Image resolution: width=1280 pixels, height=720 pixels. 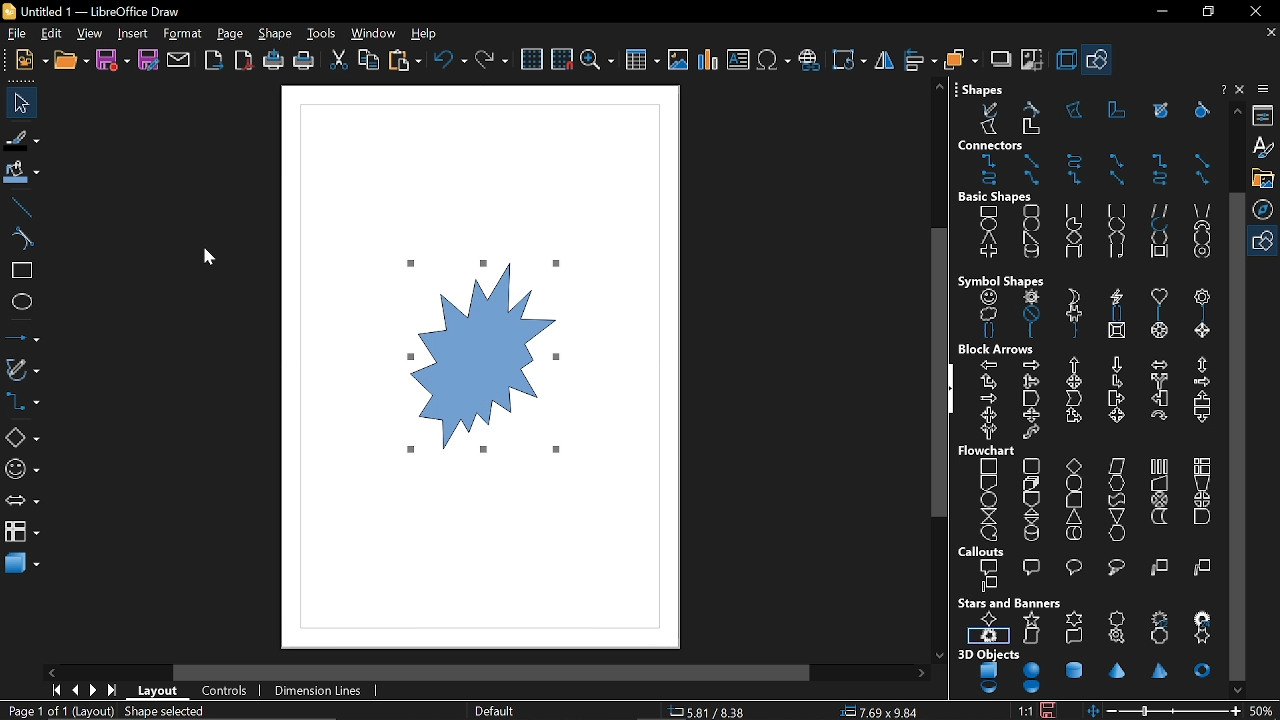 What do you see at coordinates (20, 503) in the screenshot?
I see `arrows ` at bounding box center [20, 503].